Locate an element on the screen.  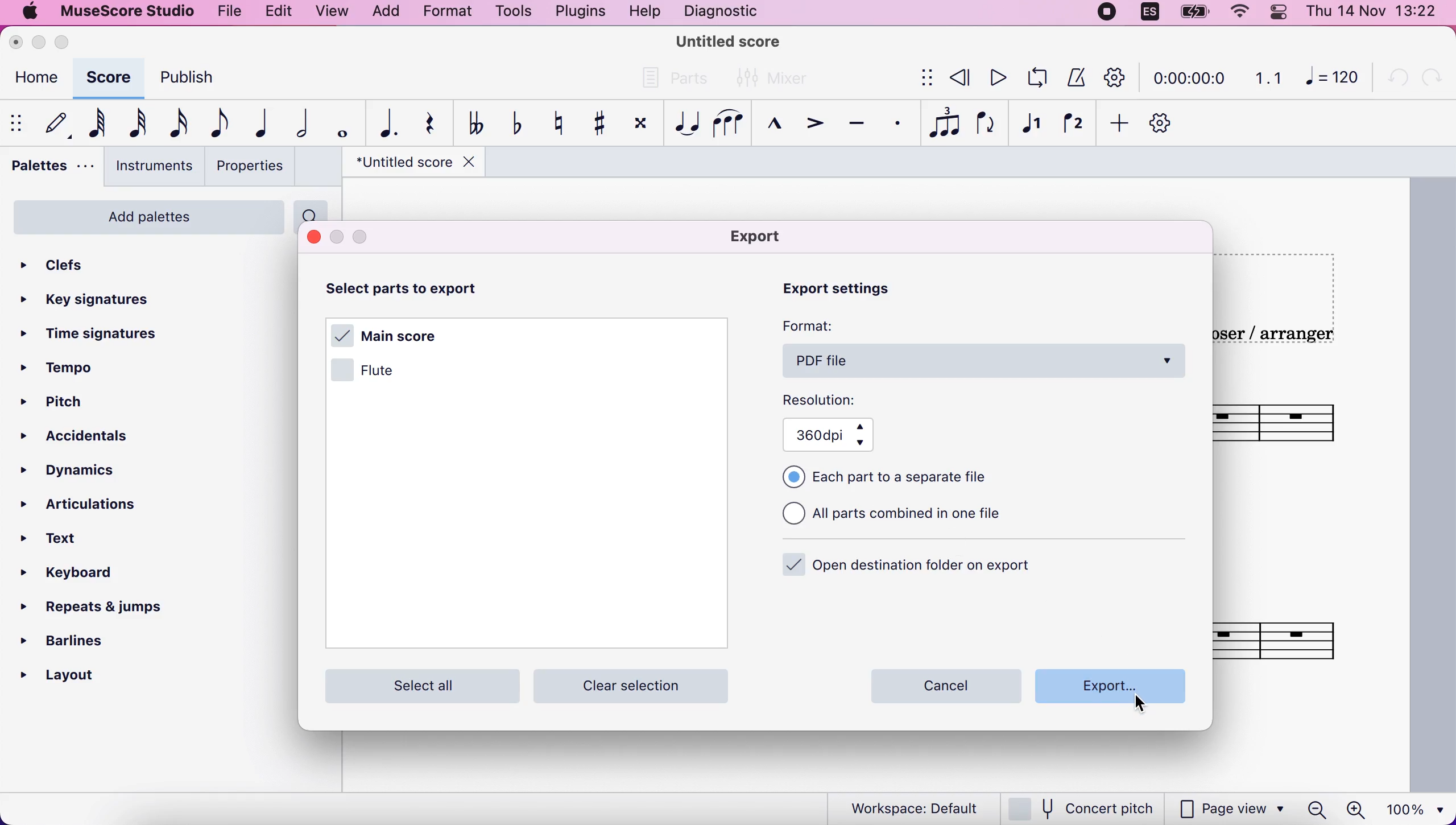
select all is located at coordinates (419, 684).